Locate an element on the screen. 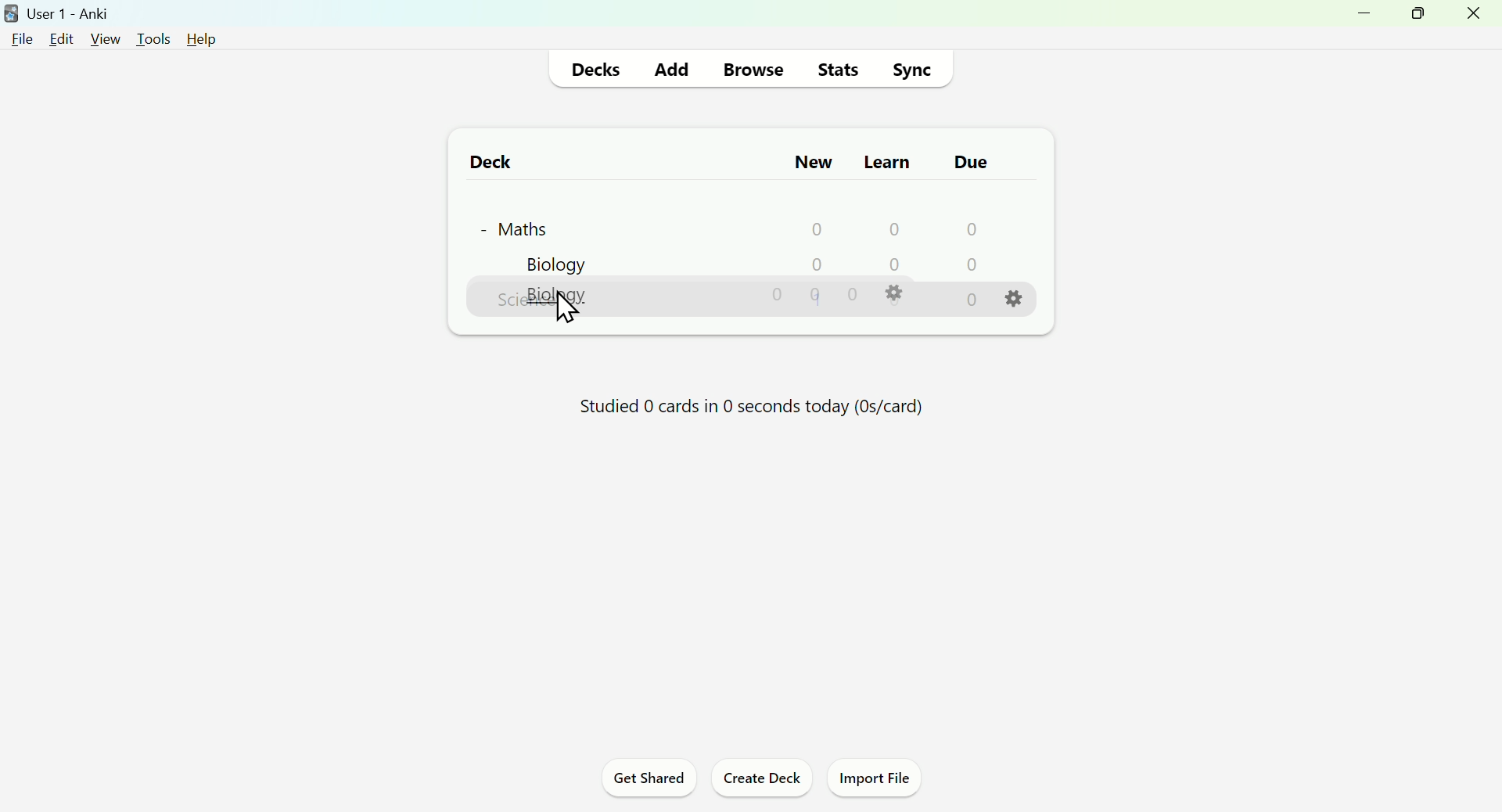 The image size is (1502, 812). settings is located at coordinates (1014, 269).